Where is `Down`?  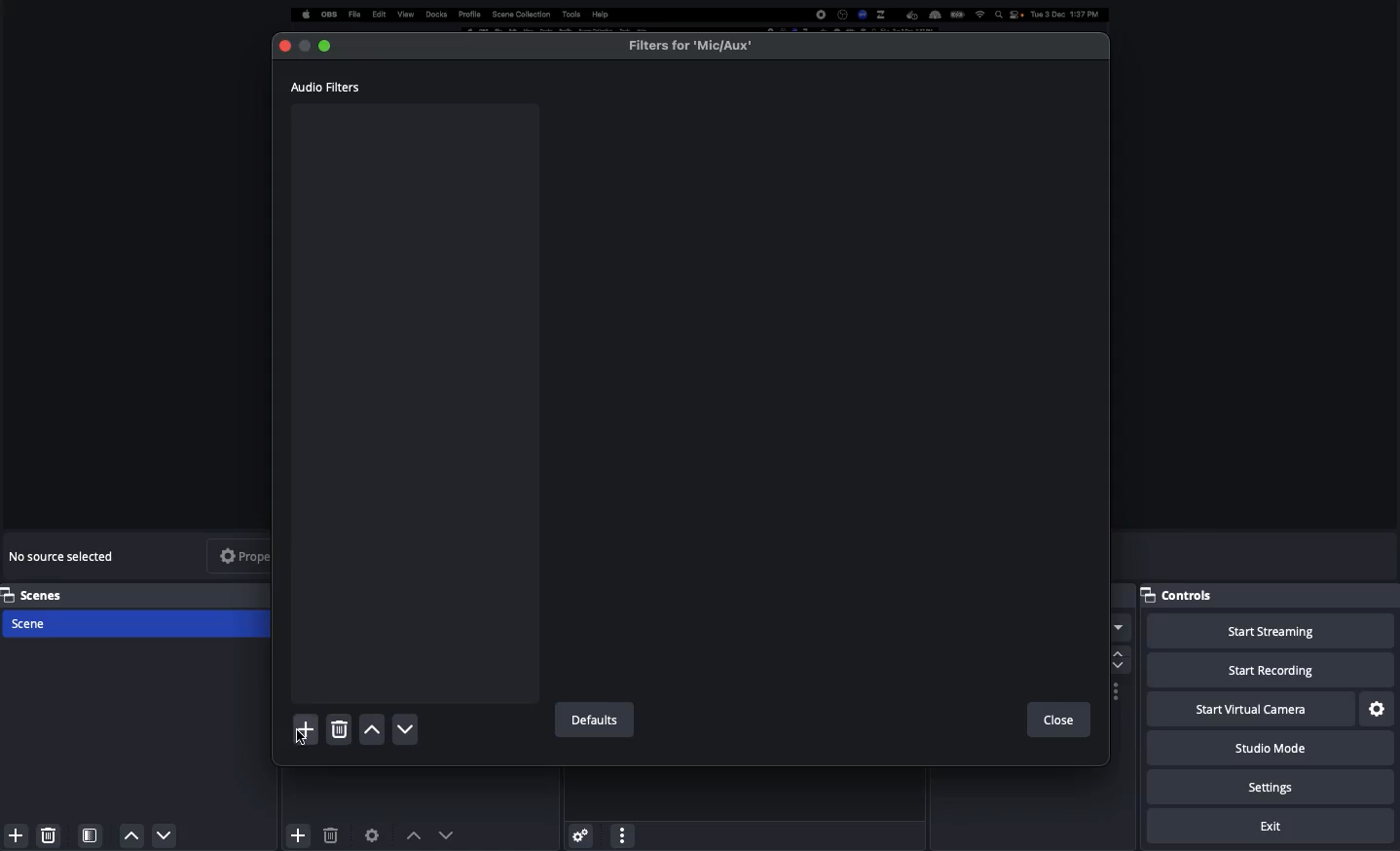
Down is located at coordinates (406, 730).